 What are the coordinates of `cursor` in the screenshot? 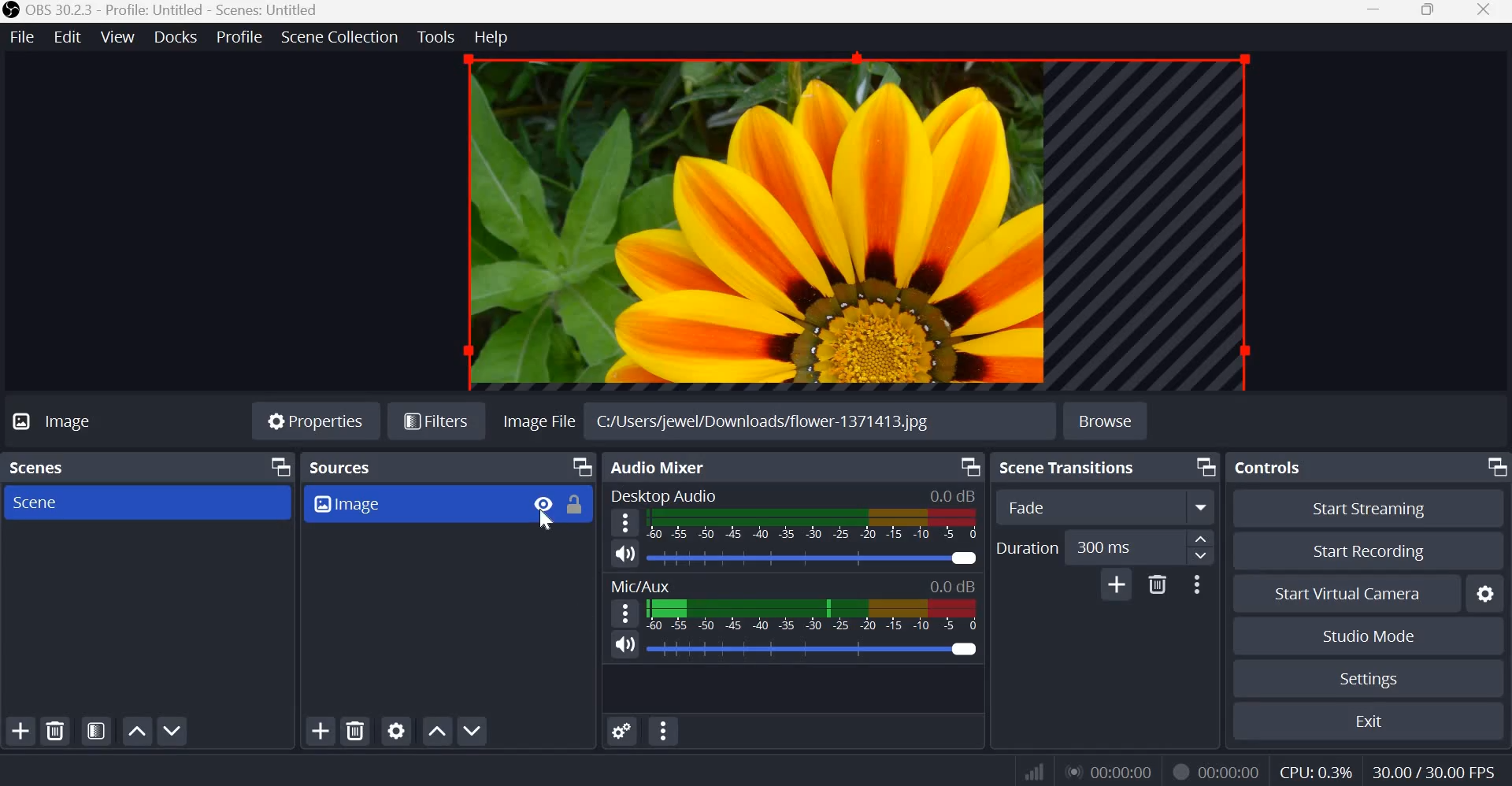 It's located at (546, 522).